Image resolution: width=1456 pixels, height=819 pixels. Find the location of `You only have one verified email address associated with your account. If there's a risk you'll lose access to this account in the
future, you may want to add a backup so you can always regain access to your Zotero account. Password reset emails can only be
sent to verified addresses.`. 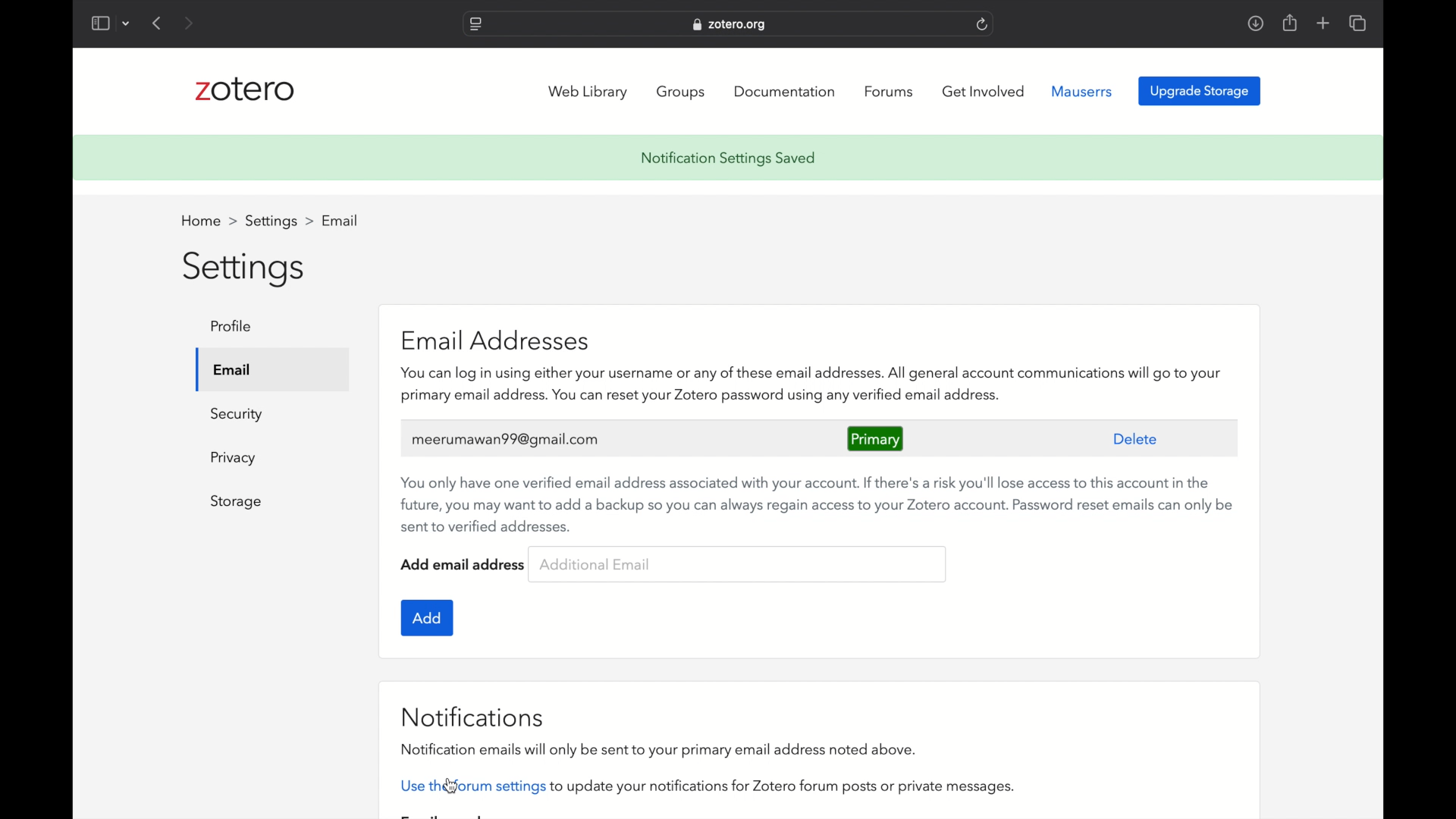

You only have one verified email address associated with your account. If there's a risk you'll lose access to this account in the
future, you may want to add a backup so you can always regain access to your Zotero account. Password reset emails can only be
sent to verified addresses. is located at coordinates (814, 501).